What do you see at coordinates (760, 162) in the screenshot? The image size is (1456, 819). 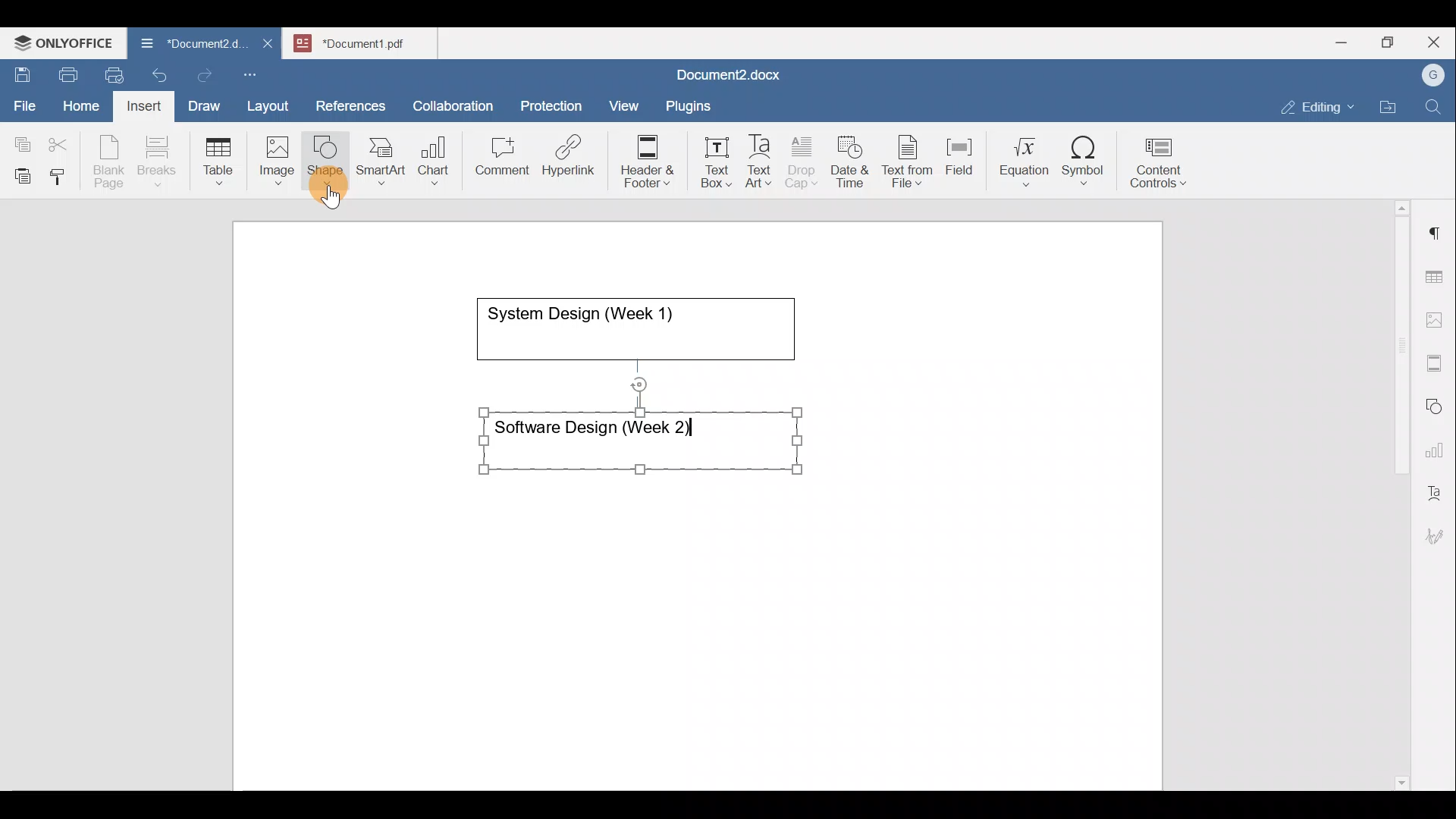 I see `Text Art` at bounding box center [760, 162].